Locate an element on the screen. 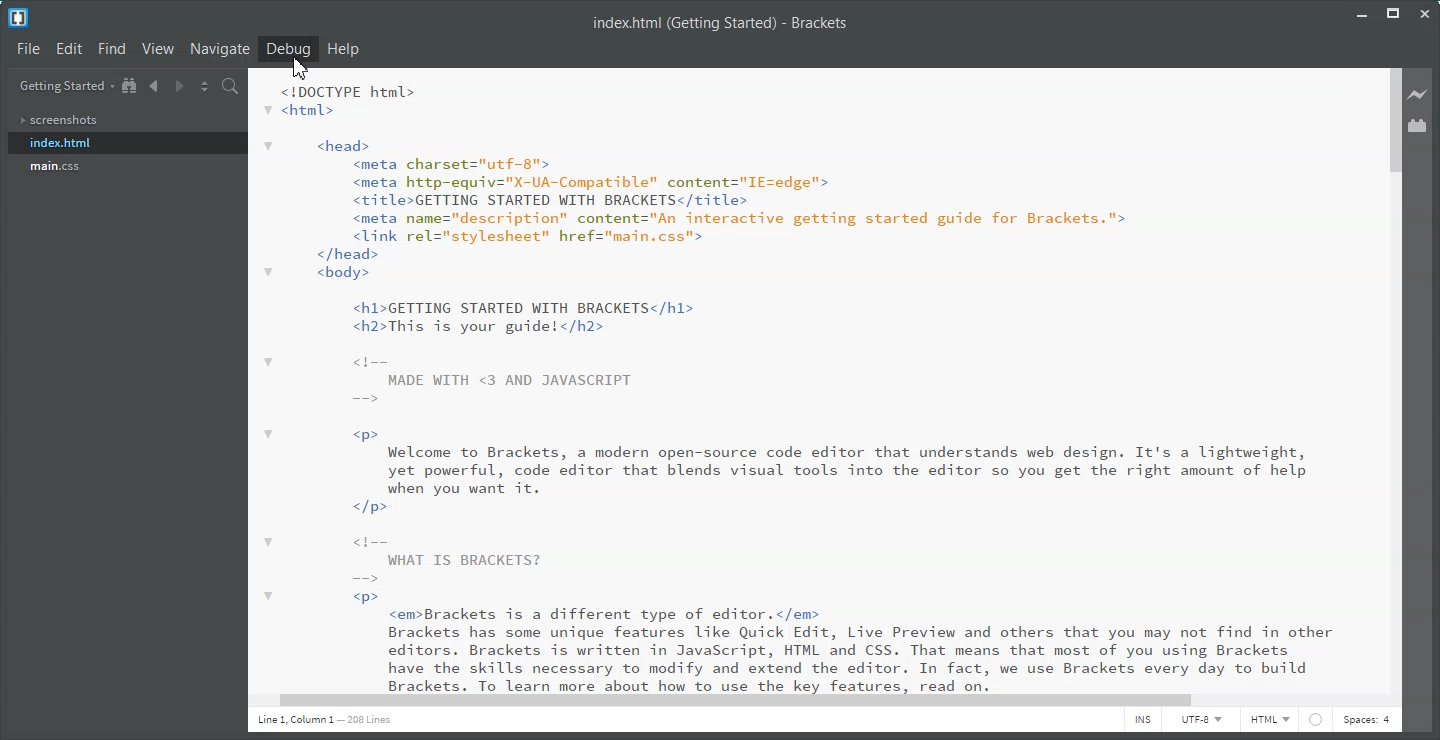 Image resolution: width=1440 pixels, height=740 pixels. circle is located at coordinates (1318, 722).